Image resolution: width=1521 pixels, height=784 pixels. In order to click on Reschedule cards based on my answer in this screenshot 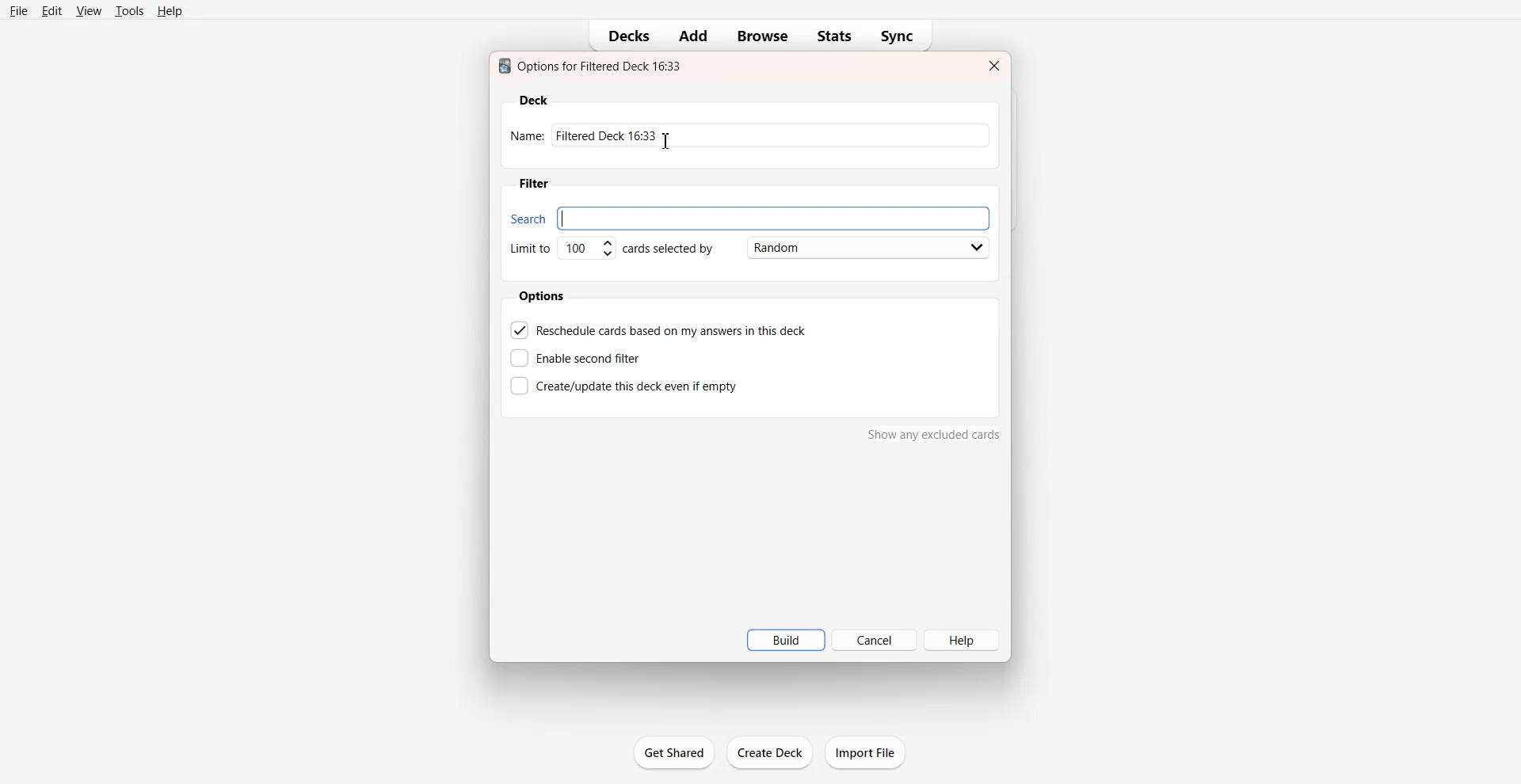, I will do `click(660, 329)`.